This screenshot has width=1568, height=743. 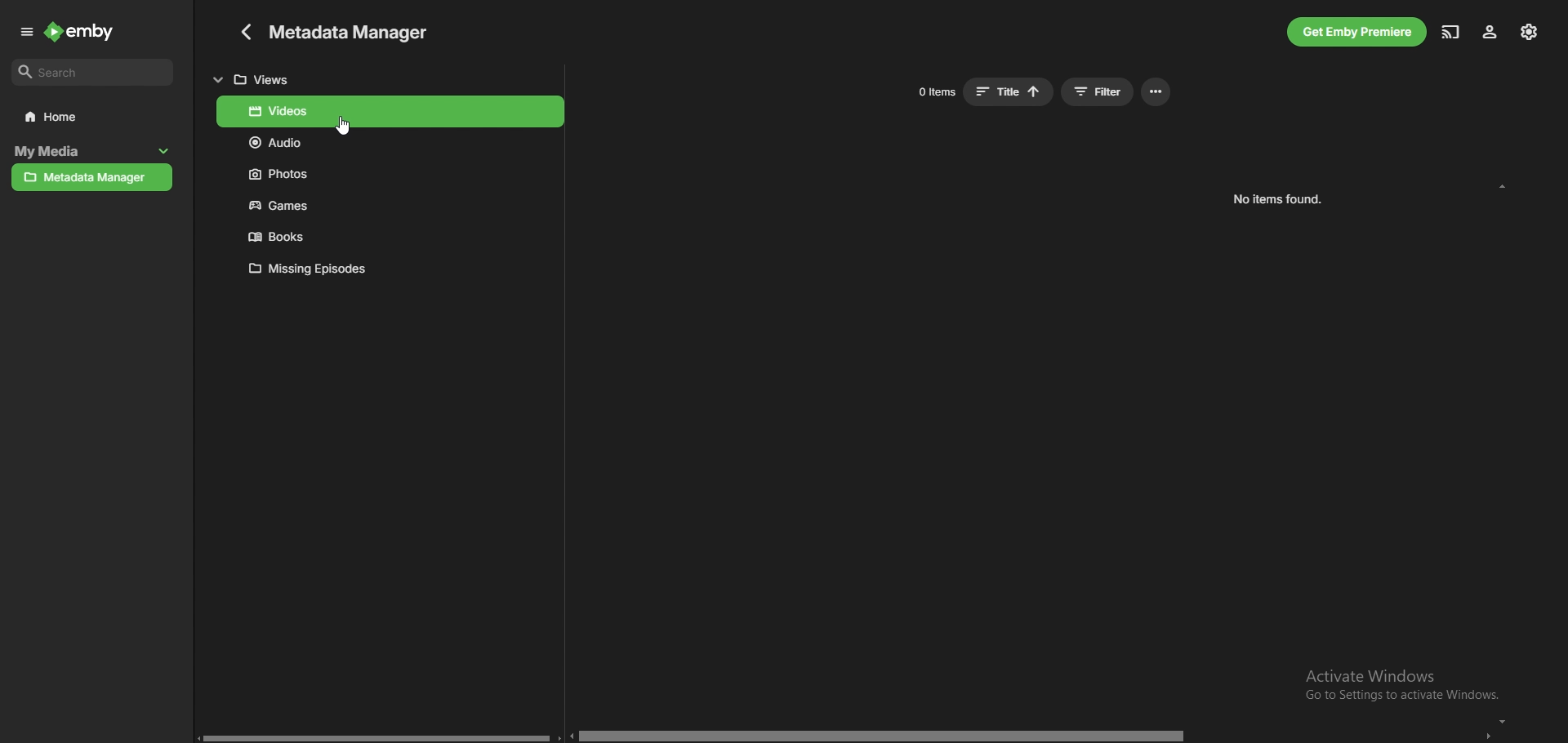 What do you see at coordinates (1007, 91) in the screenshot?
I see `sort` at bounding box center [1007, 91].